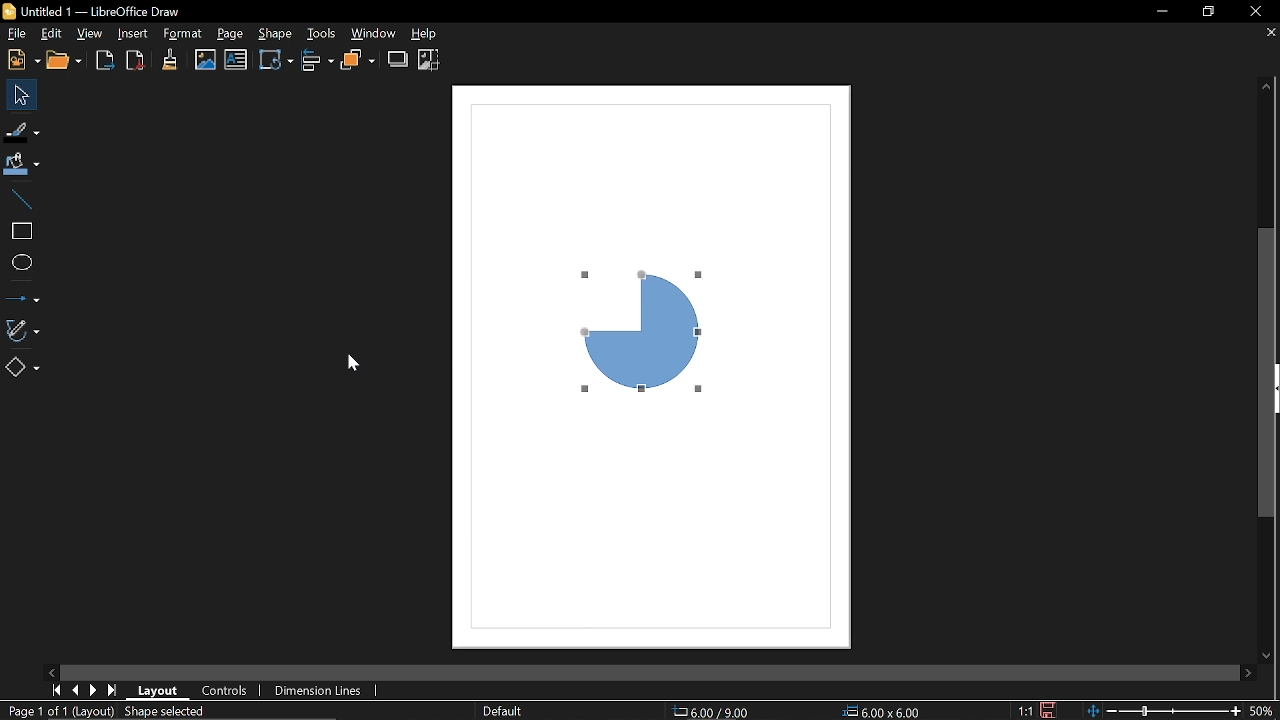 The image size is (1280, 720). What do you see at coordinates (883, 711) in the screenshot?
I see `Size` at bounding box center [883, 711].